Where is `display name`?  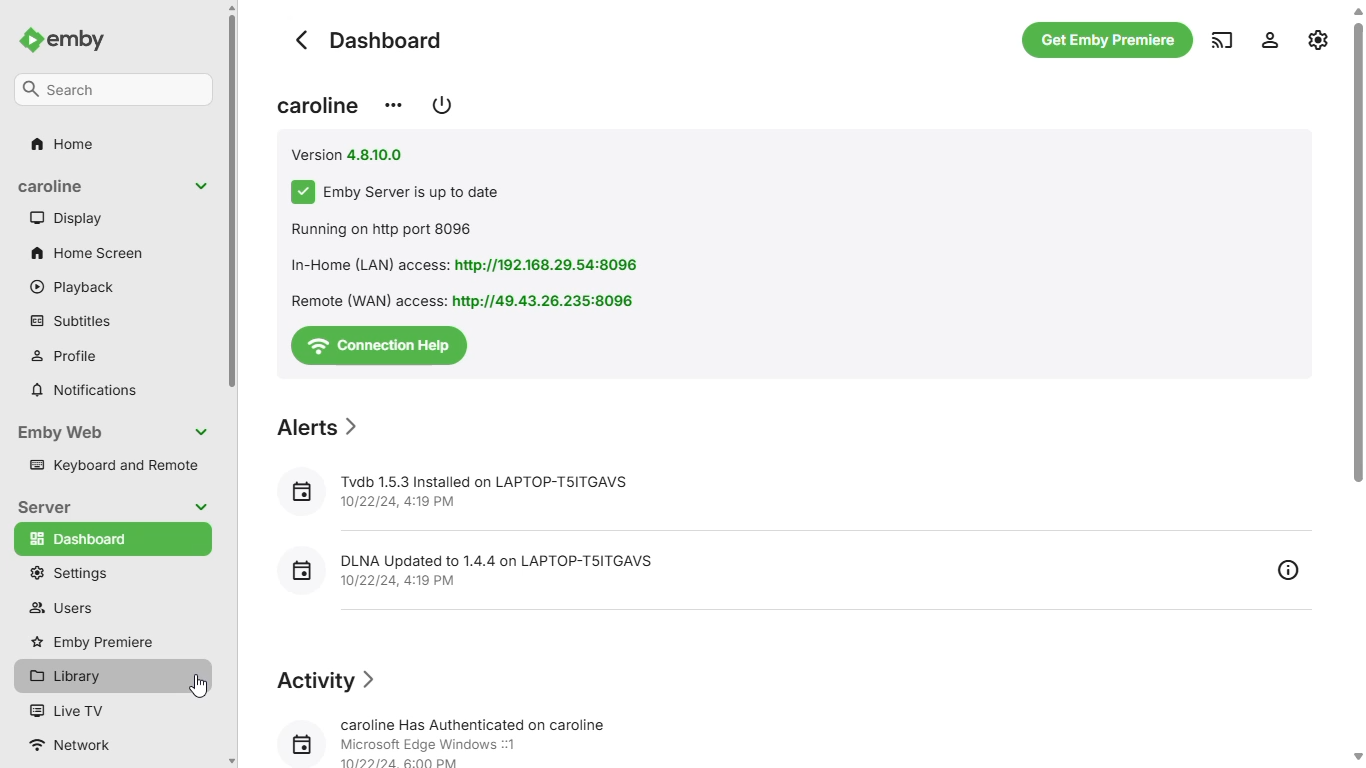
display name is located at coordinates (114, 187).